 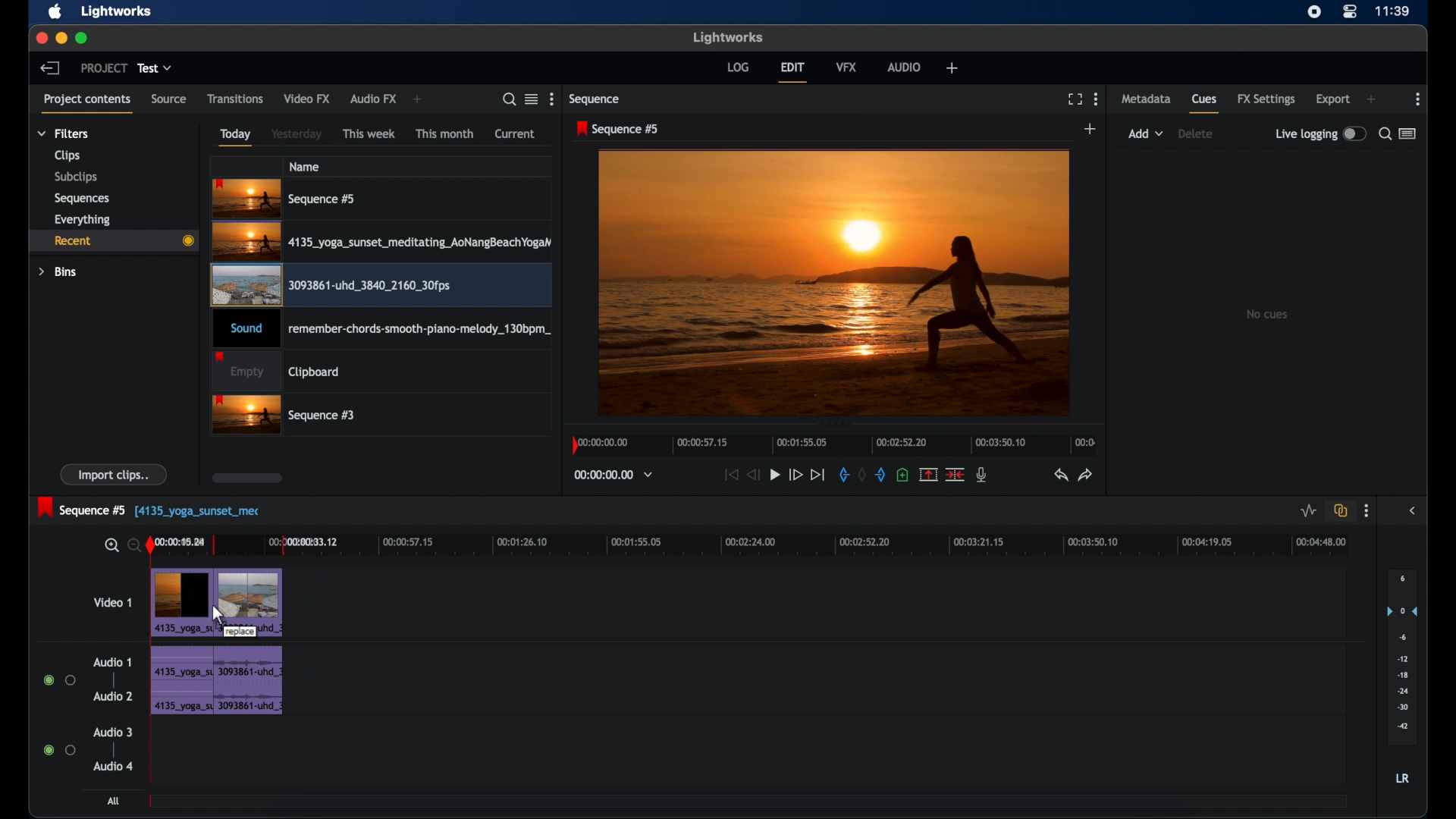 I want to click on add, so click(x=1092, y=128).